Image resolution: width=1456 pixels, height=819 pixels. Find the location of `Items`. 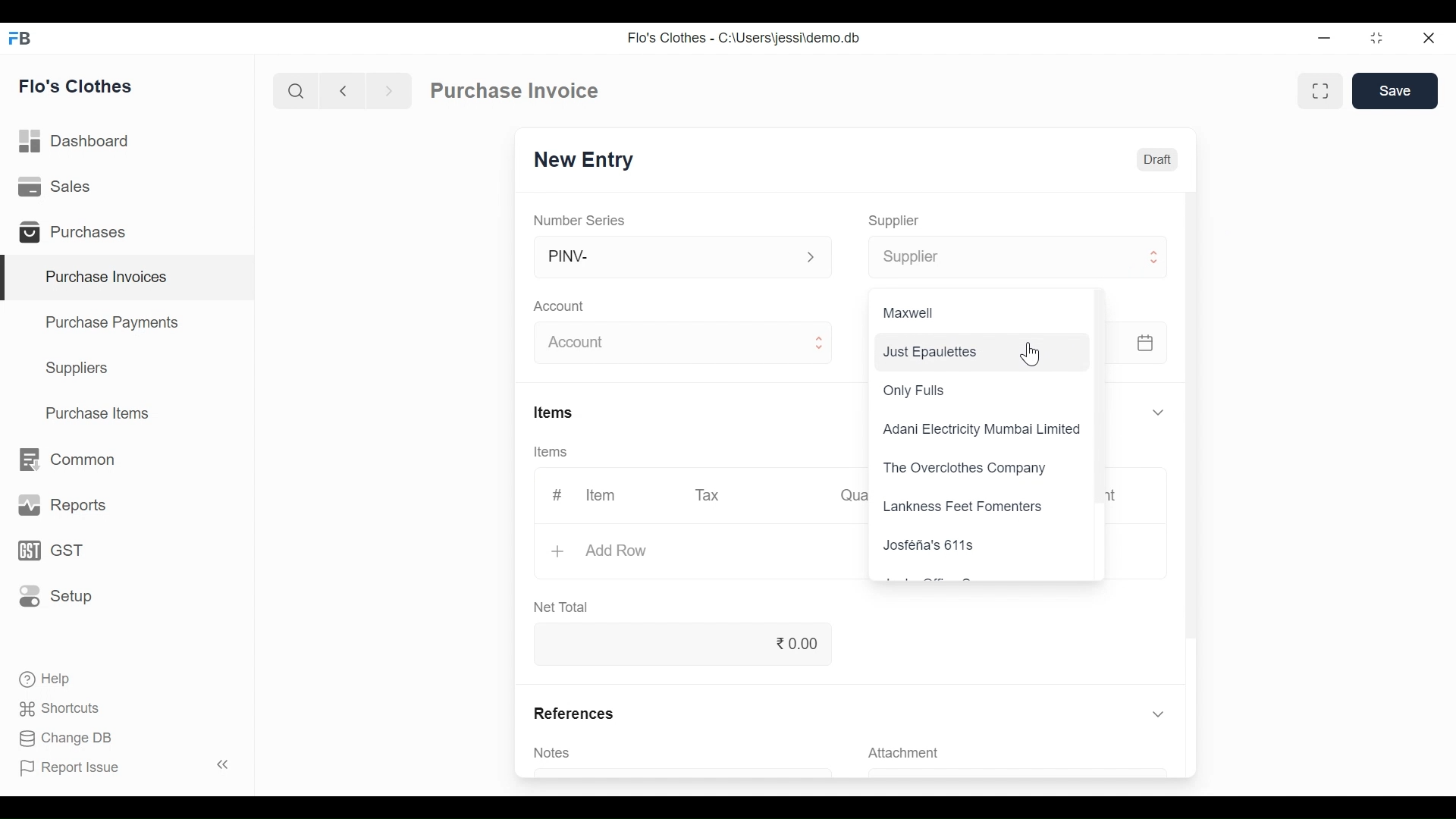

Items is located at coordinates (553, 412).